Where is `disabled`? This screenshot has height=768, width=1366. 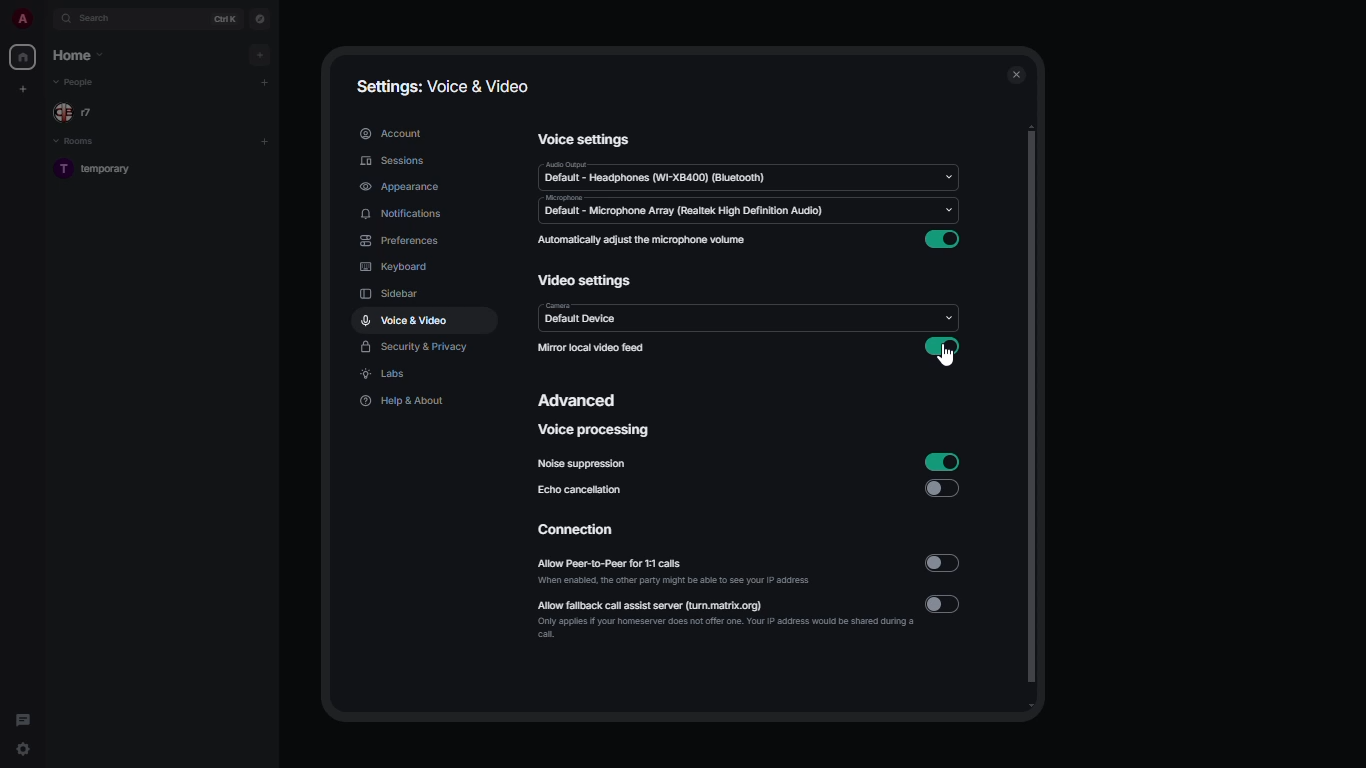
disabled is located at coordinates (945, 602).